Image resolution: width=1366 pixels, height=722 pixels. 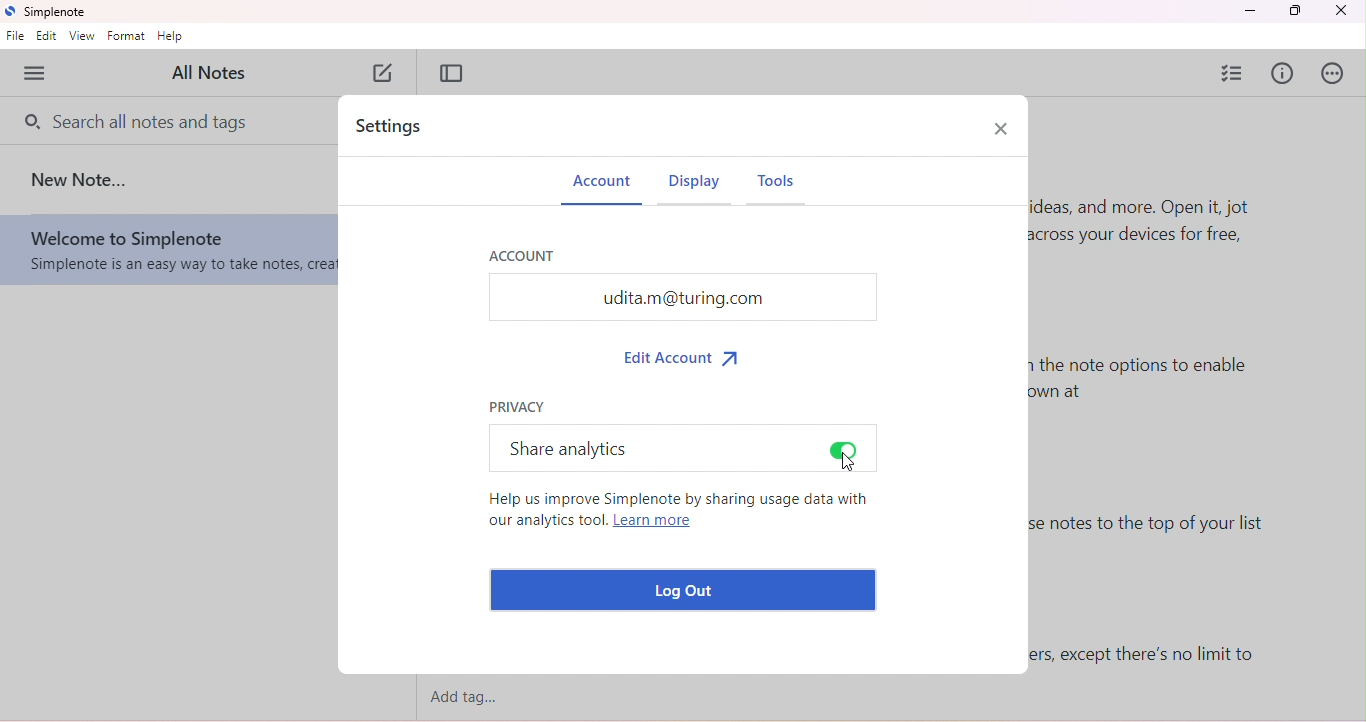 I want to click on simple note, so click(x=50, y=12).